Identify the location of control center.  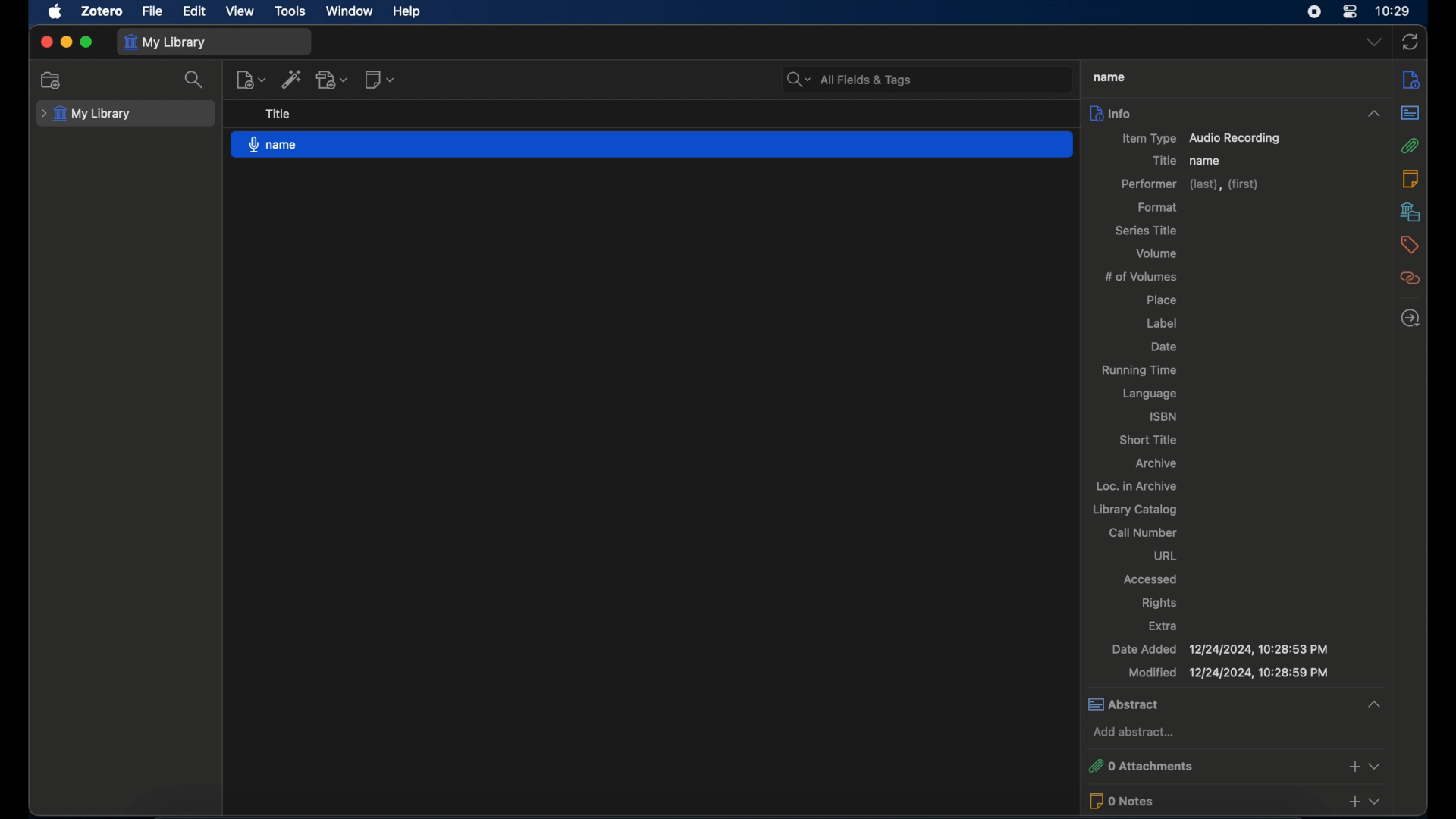
(1350, 11).